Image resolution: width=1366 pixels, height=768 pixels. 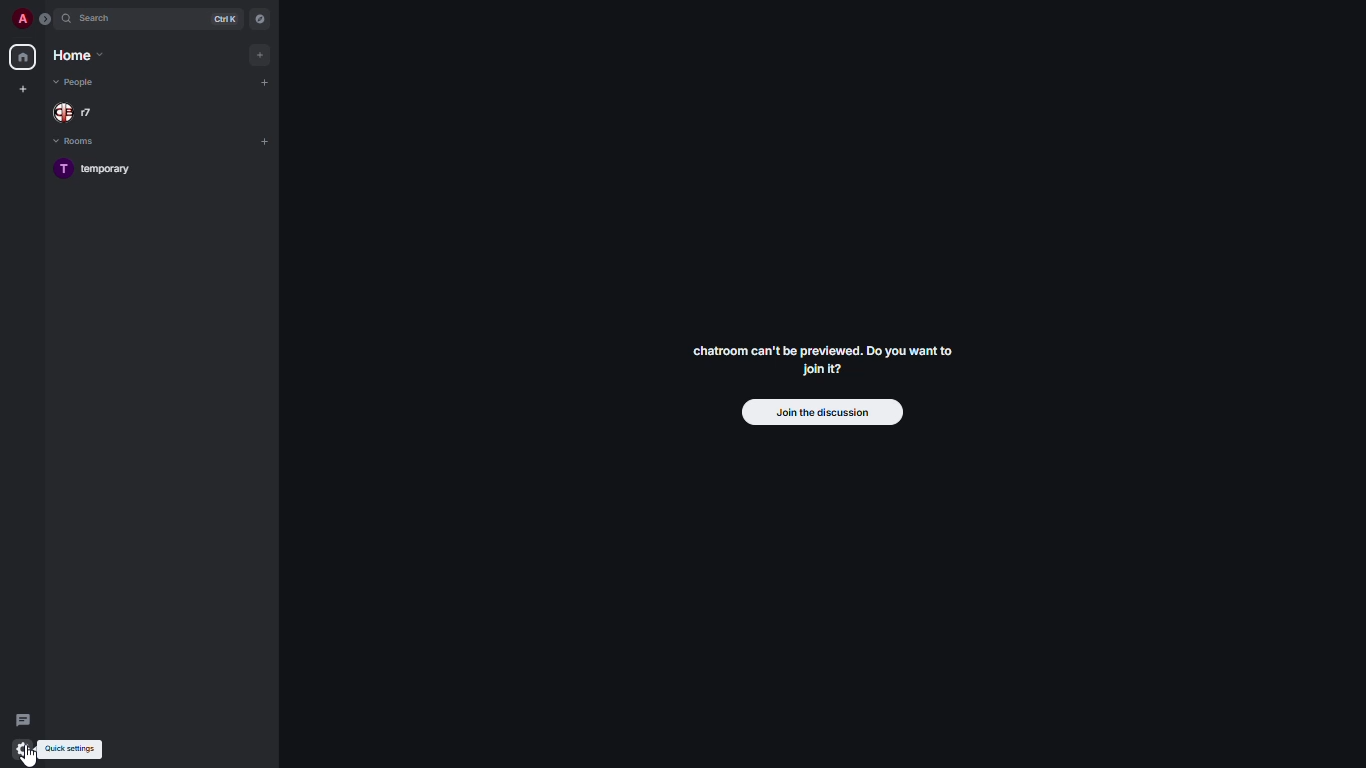 What do you see at coordinates (224, 19) in the screenshot?
I see `ctrl K` at bounding box center [224, 19].